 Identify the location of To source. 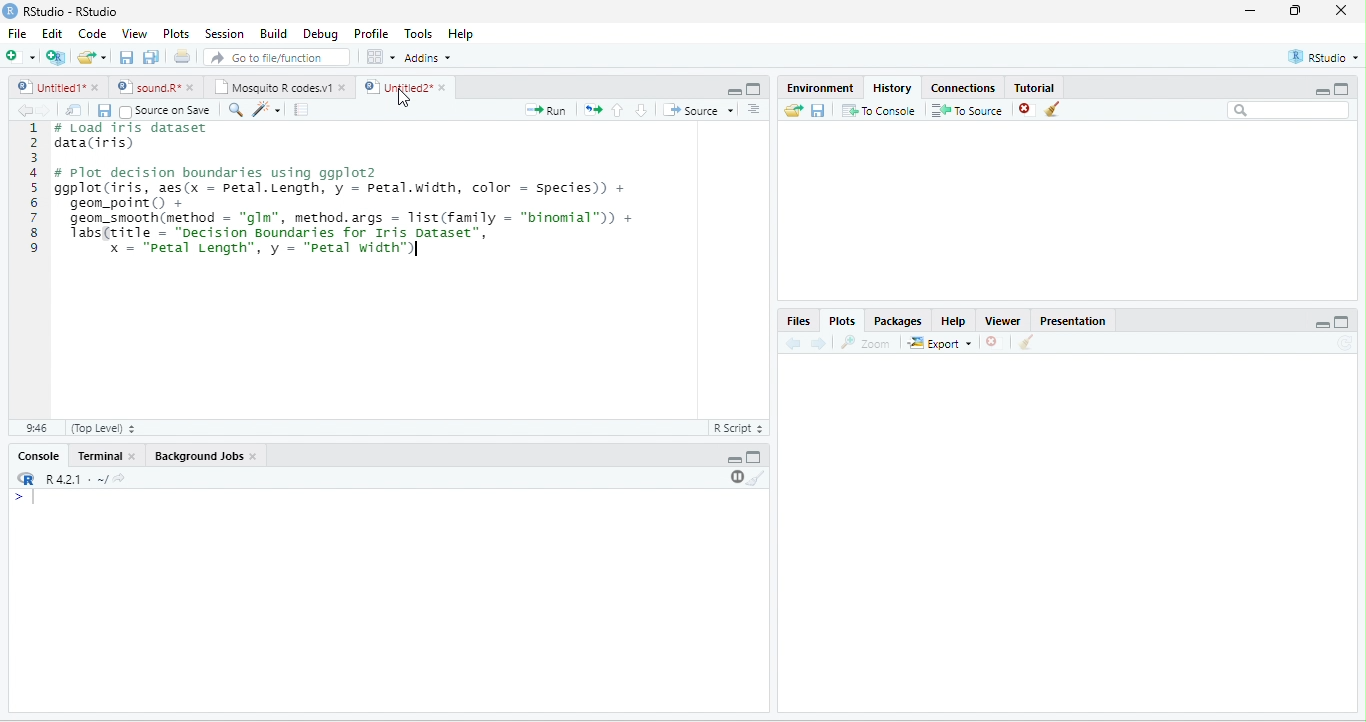
(965, 111).